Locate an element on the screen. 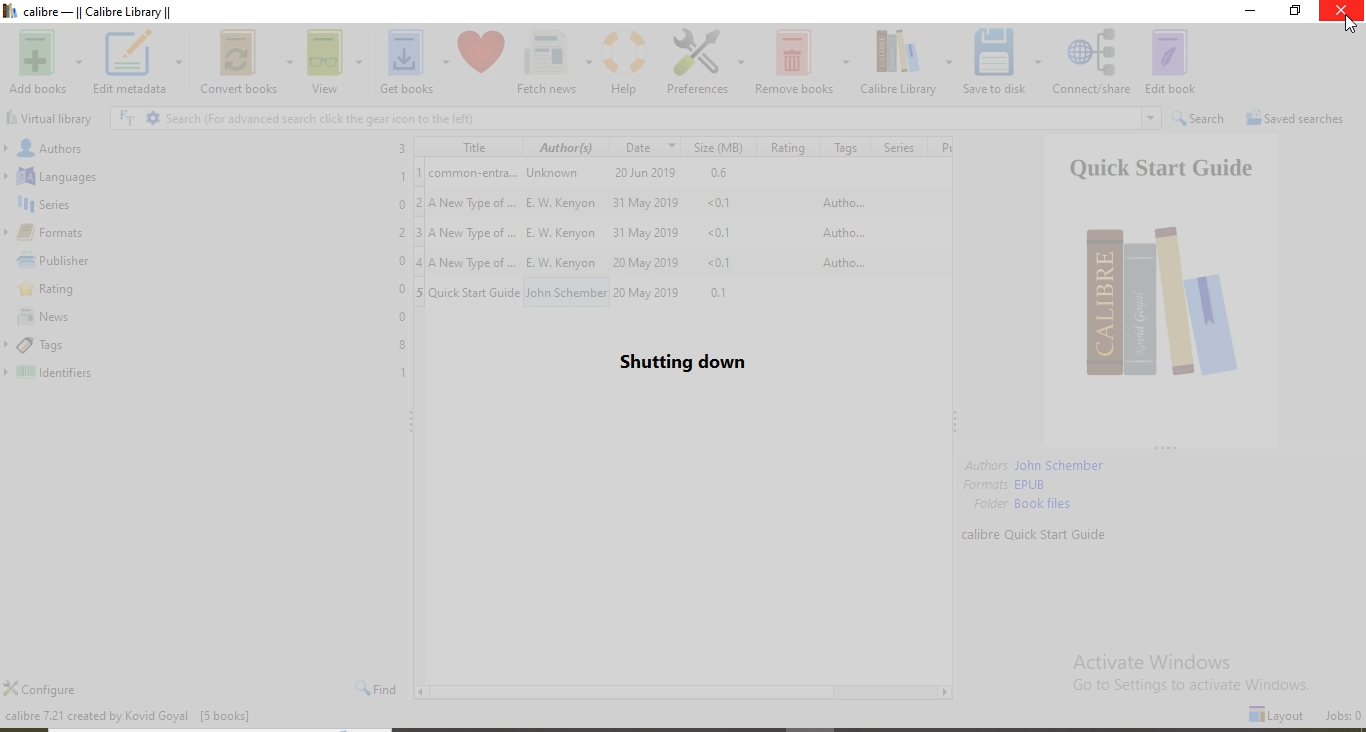 The height and width of the screenshot is (732, 1366). Series is located at coordinates (206, 204).